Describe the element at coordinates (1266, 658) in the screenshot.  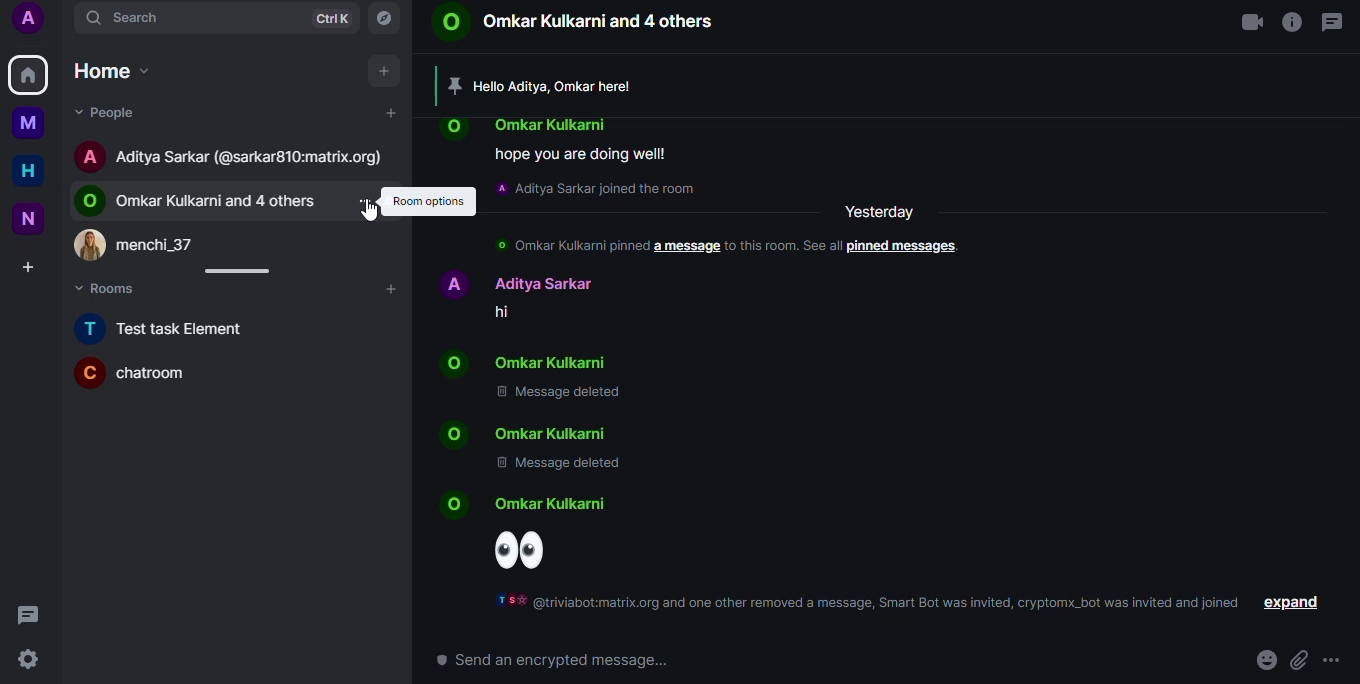
I see `emoji` at that location.